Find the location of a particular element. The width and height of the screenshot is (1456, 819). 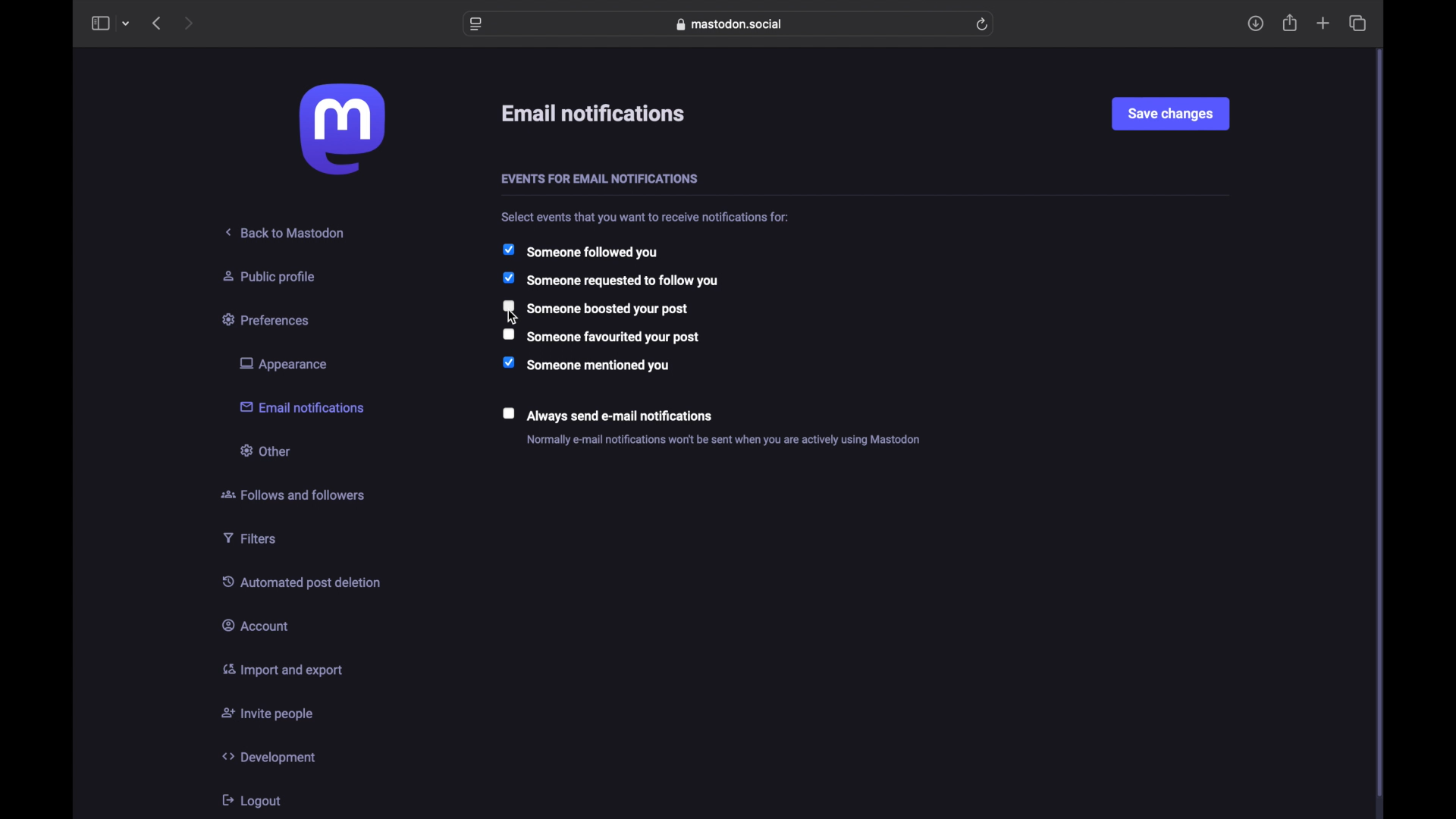

account is located at coordinates (256, 624).